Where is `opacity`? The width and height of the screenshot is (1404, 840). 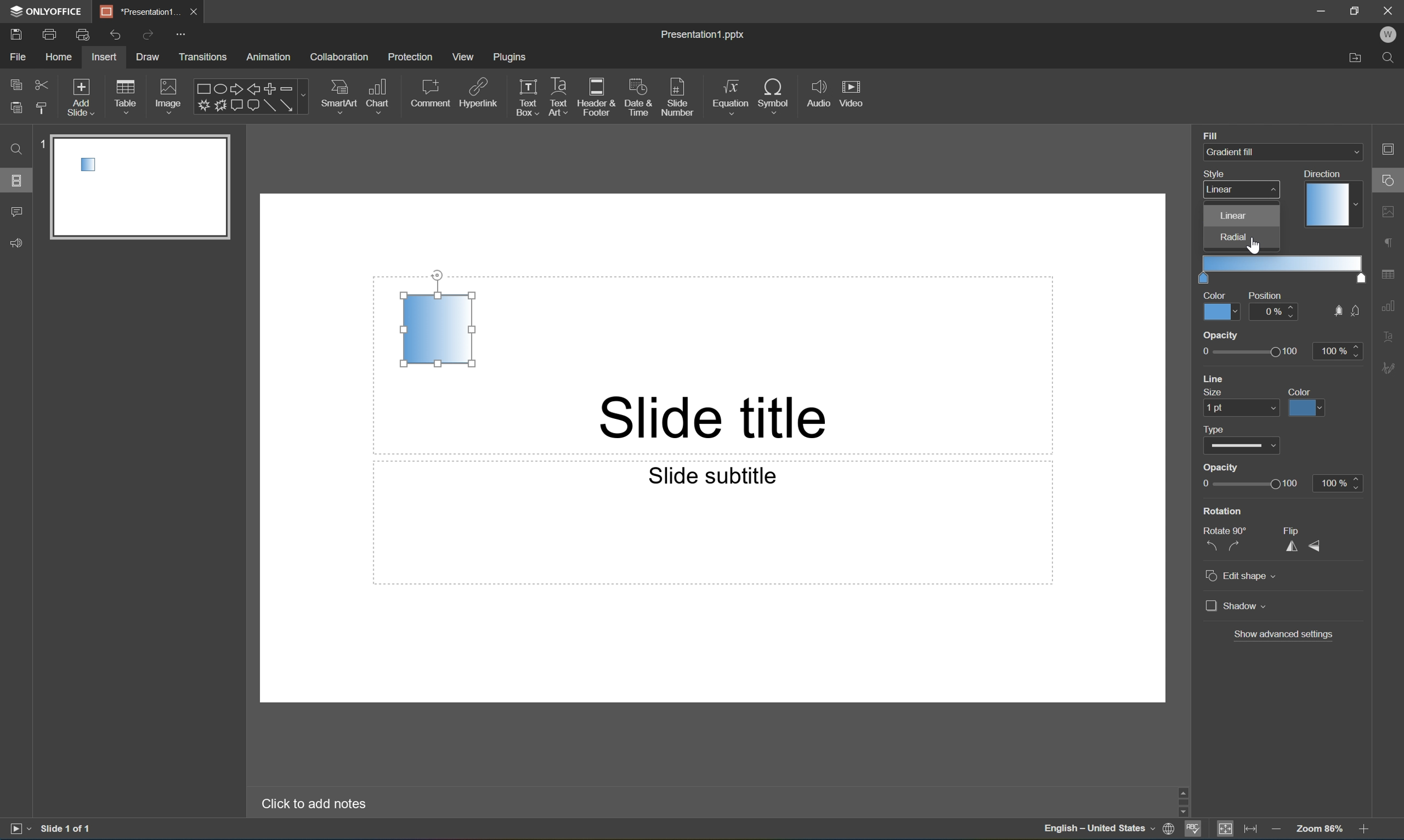 opacity is located at coordinates (1279, 349).